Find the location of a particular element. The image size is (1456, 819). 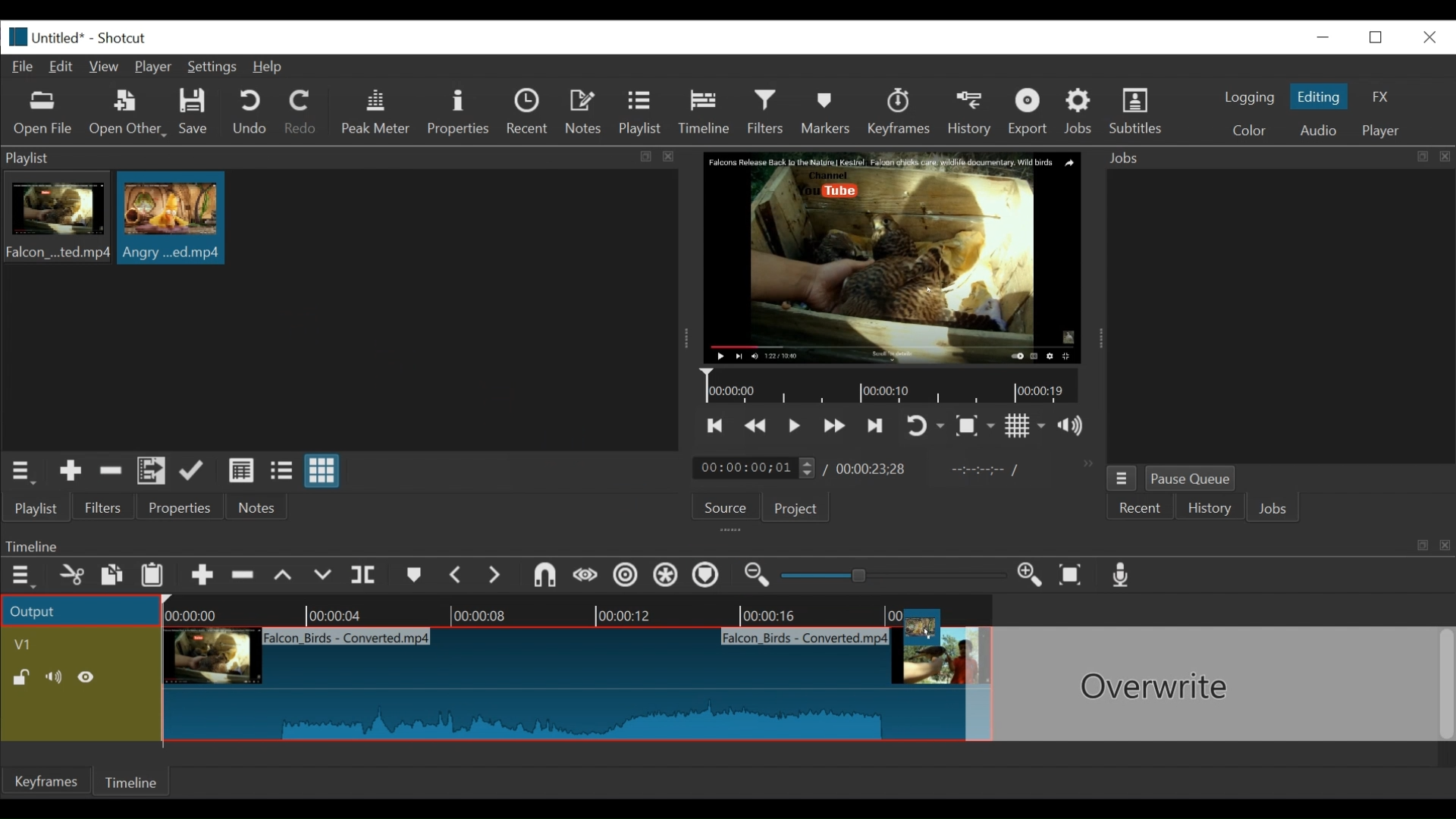

playlist is located at coordinates (35, 508).